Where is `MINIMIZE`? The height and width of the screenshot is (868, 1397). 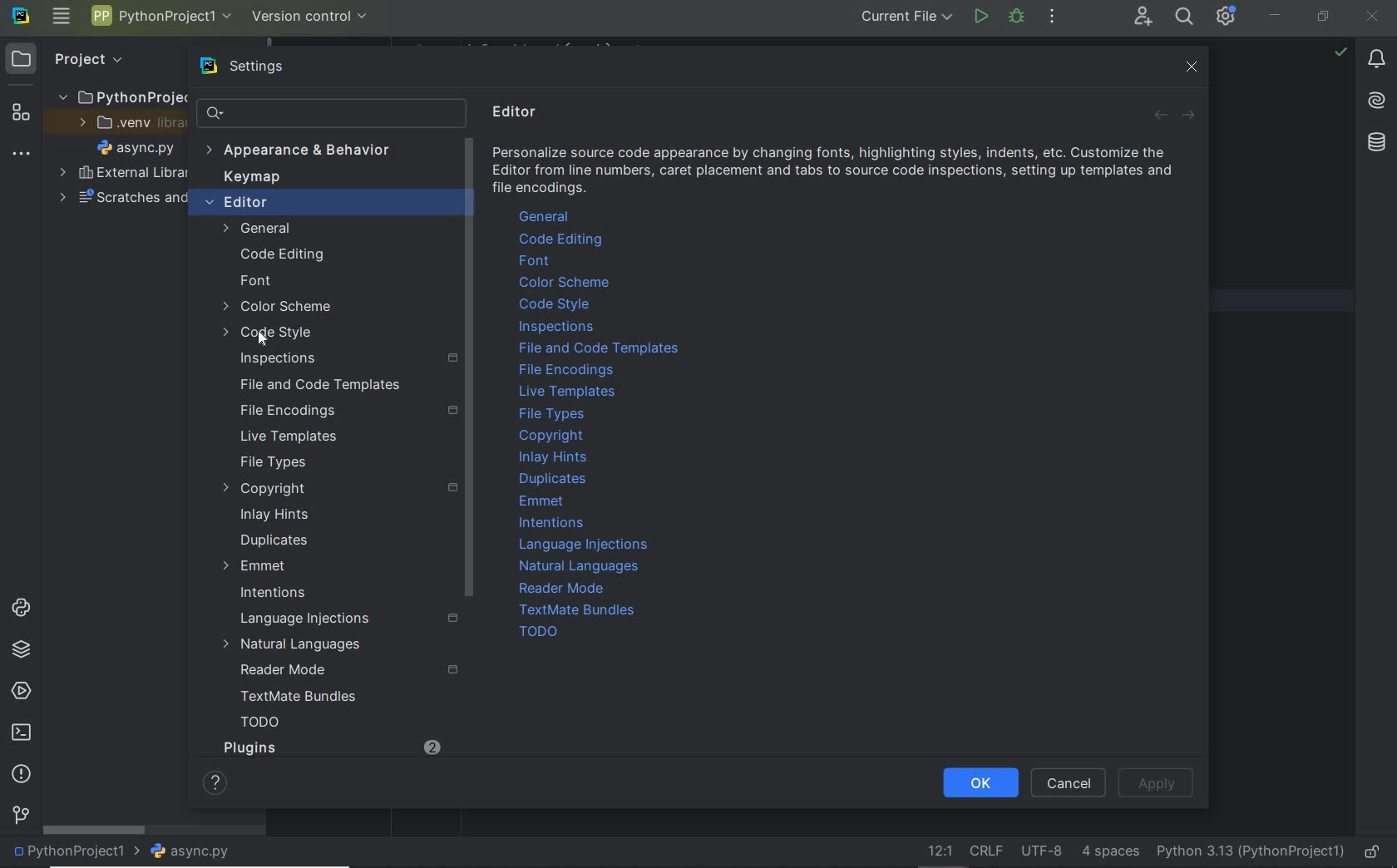 MINIMIZE is located at coordinates (1277, 14).